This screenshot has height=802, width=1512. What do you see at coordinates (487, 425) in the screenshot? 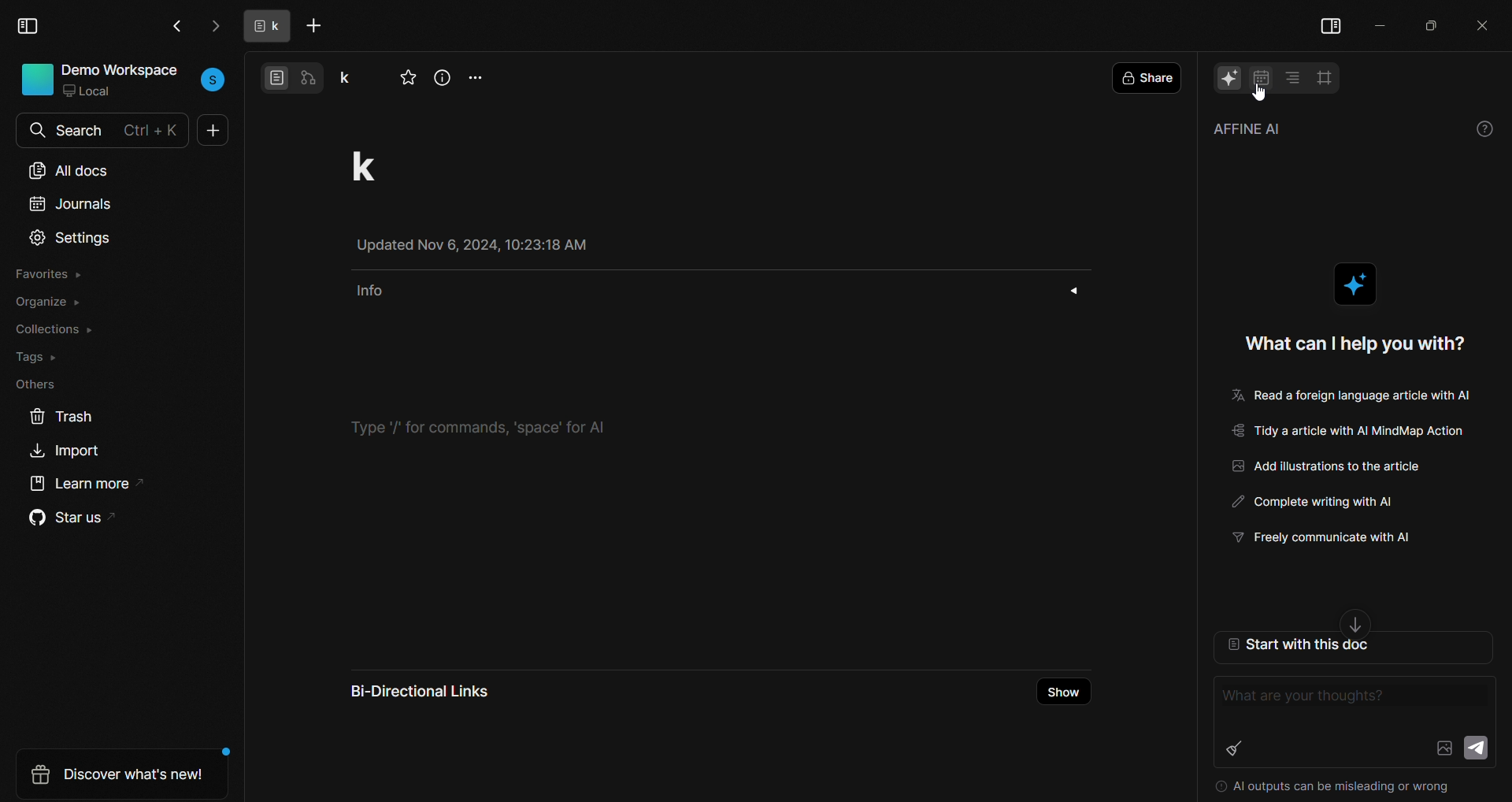
I see `type '/' for commands, 'space'' for ai` at bounding box center [487, 425].